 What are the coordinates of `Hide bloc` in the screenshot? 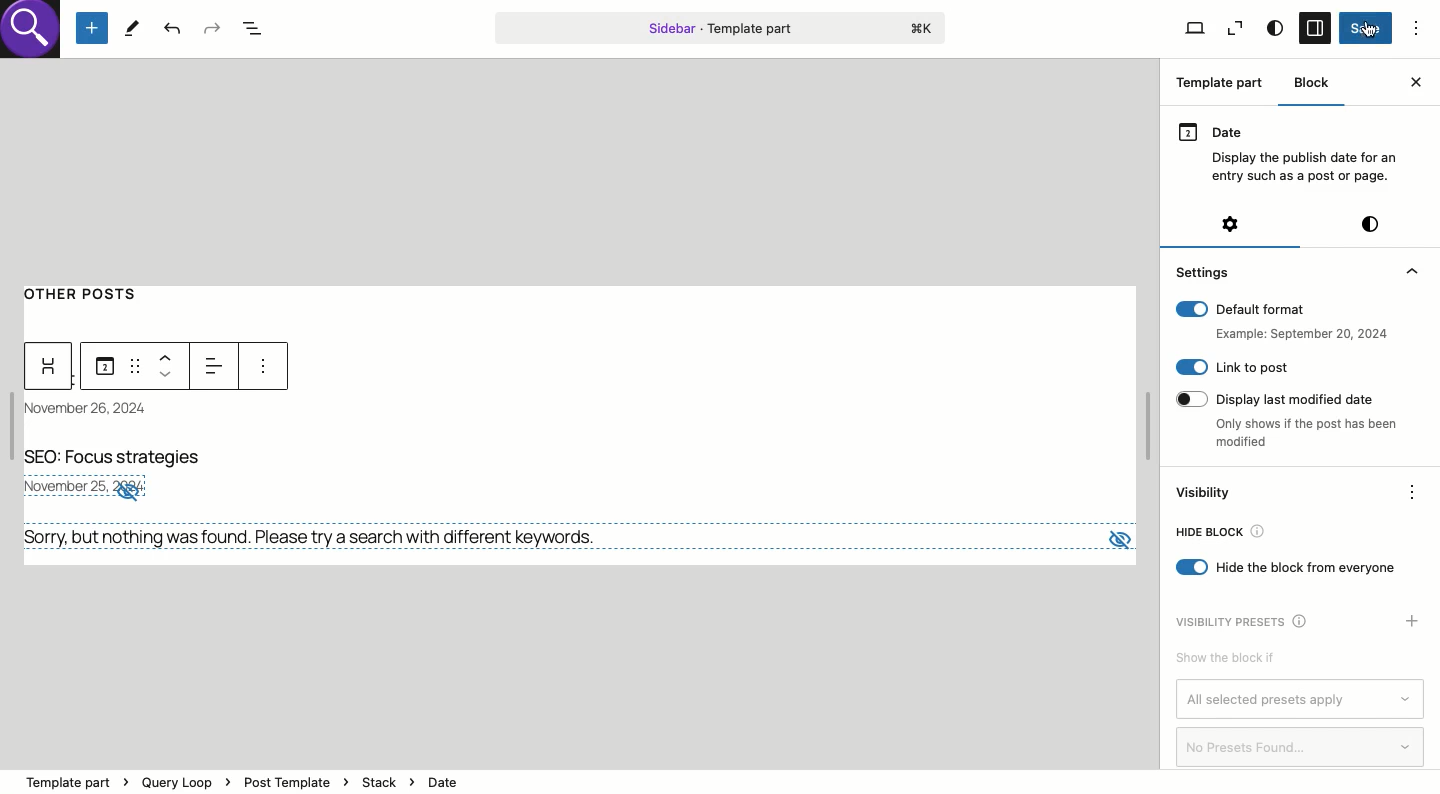 It's located at (1219, 534).